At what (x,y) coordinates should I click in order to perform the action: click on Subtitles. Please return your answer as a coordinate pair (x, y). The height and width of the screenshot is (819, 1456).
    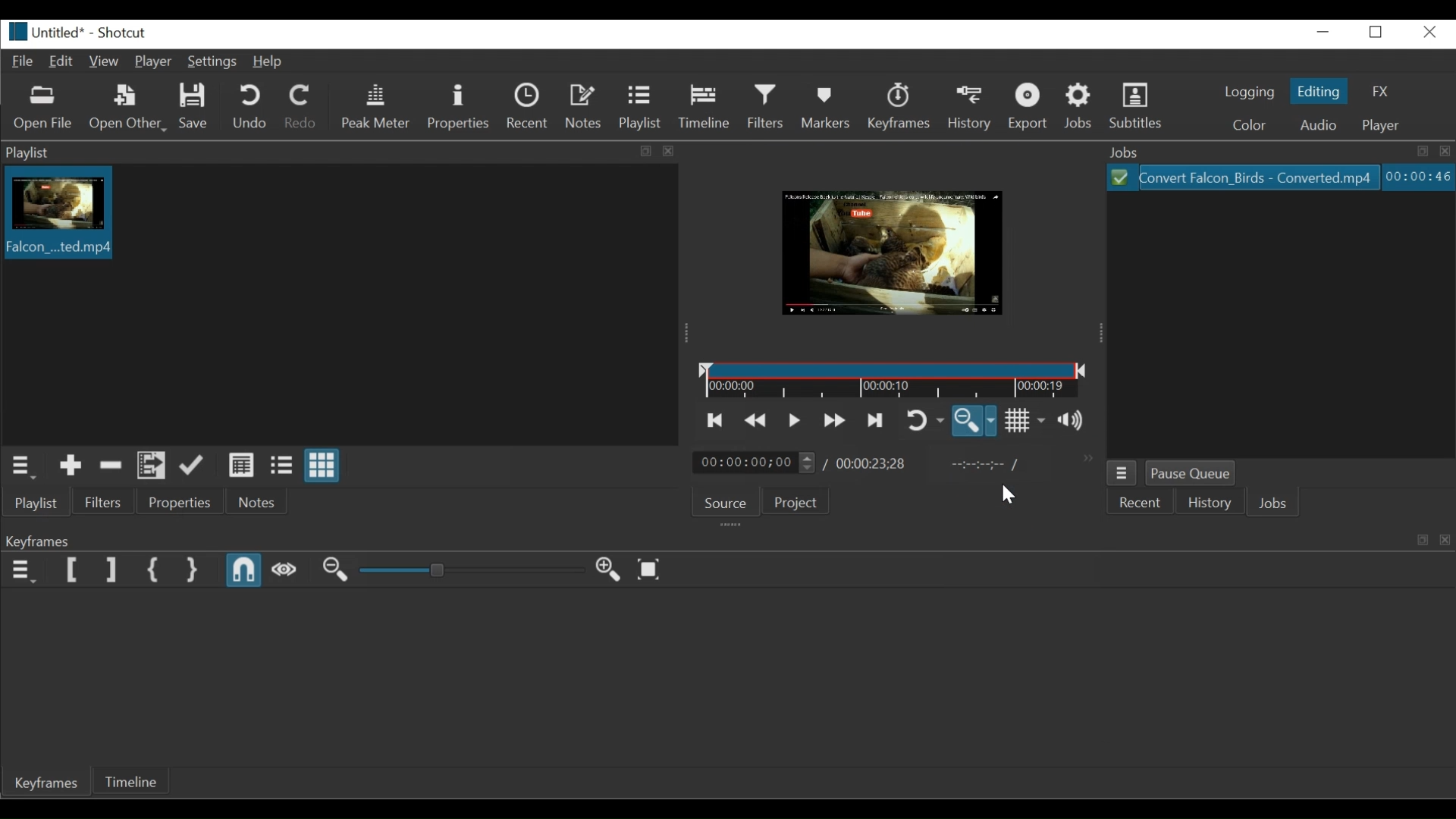
    Looking at the image, I should click on (1141, 106).